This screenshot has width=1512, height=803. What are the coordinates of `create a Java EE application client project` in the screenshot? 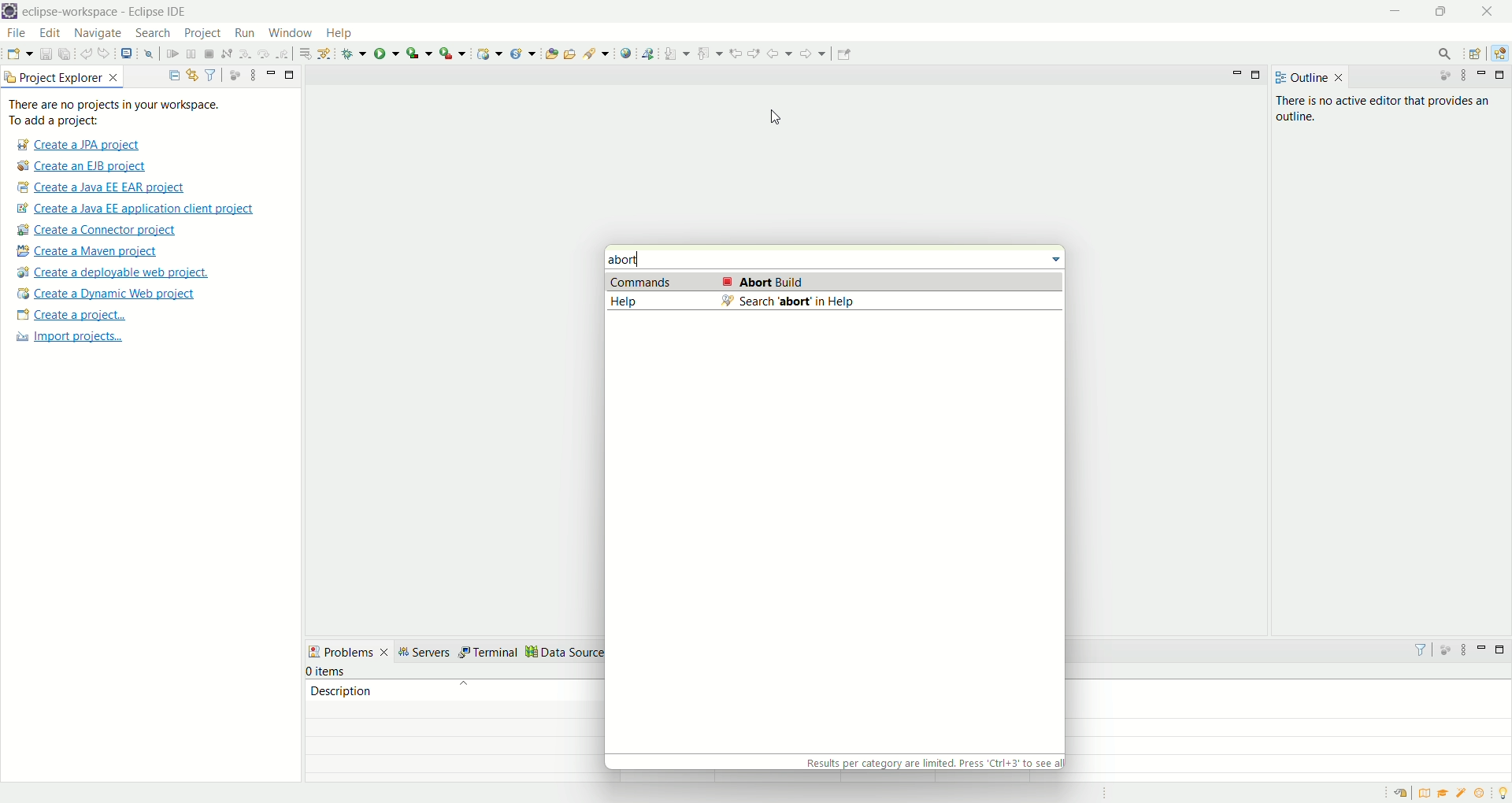 It's located at (141, 210).